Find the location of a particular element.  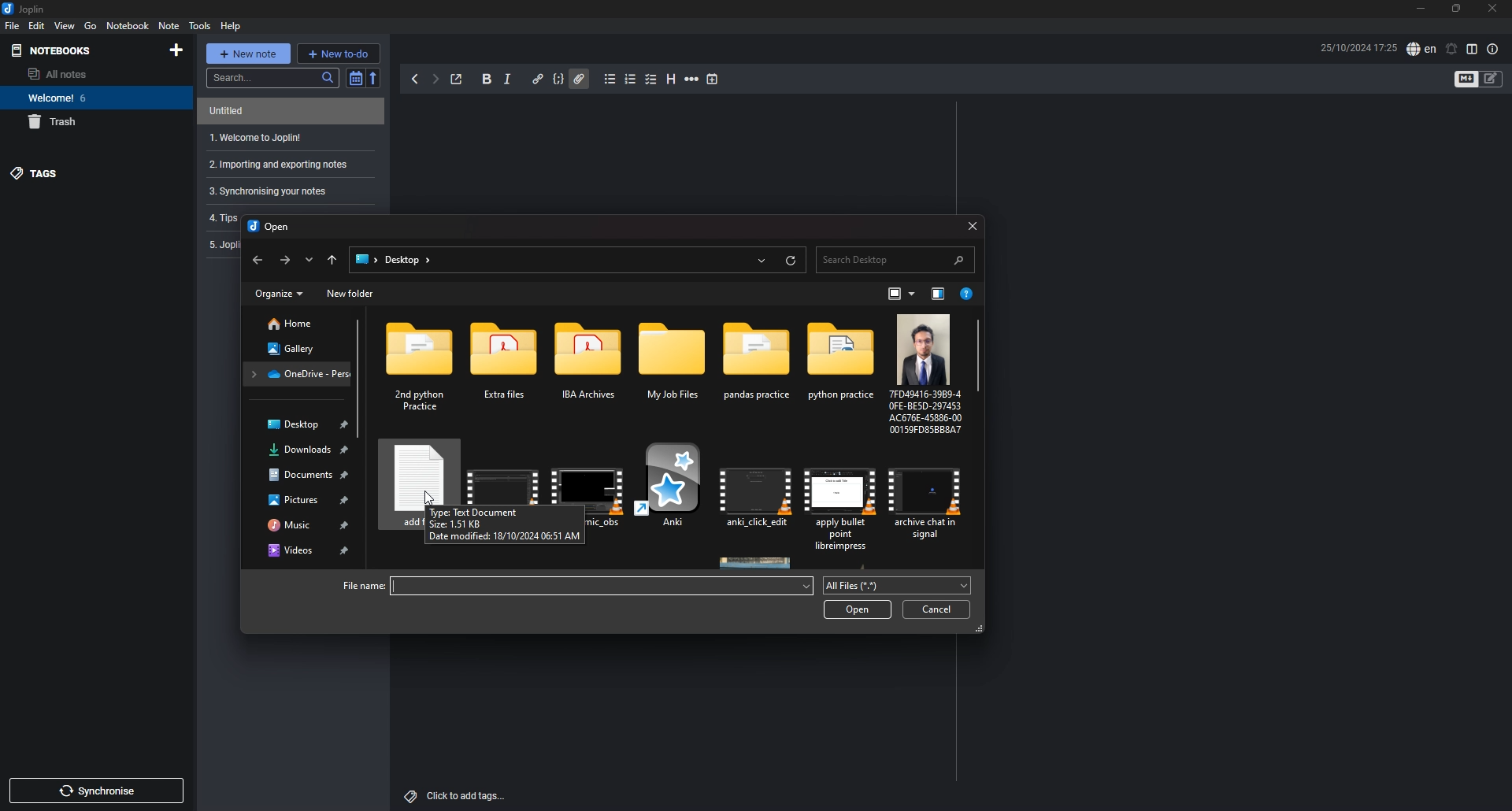

edit is located at coordinates (38, 25).